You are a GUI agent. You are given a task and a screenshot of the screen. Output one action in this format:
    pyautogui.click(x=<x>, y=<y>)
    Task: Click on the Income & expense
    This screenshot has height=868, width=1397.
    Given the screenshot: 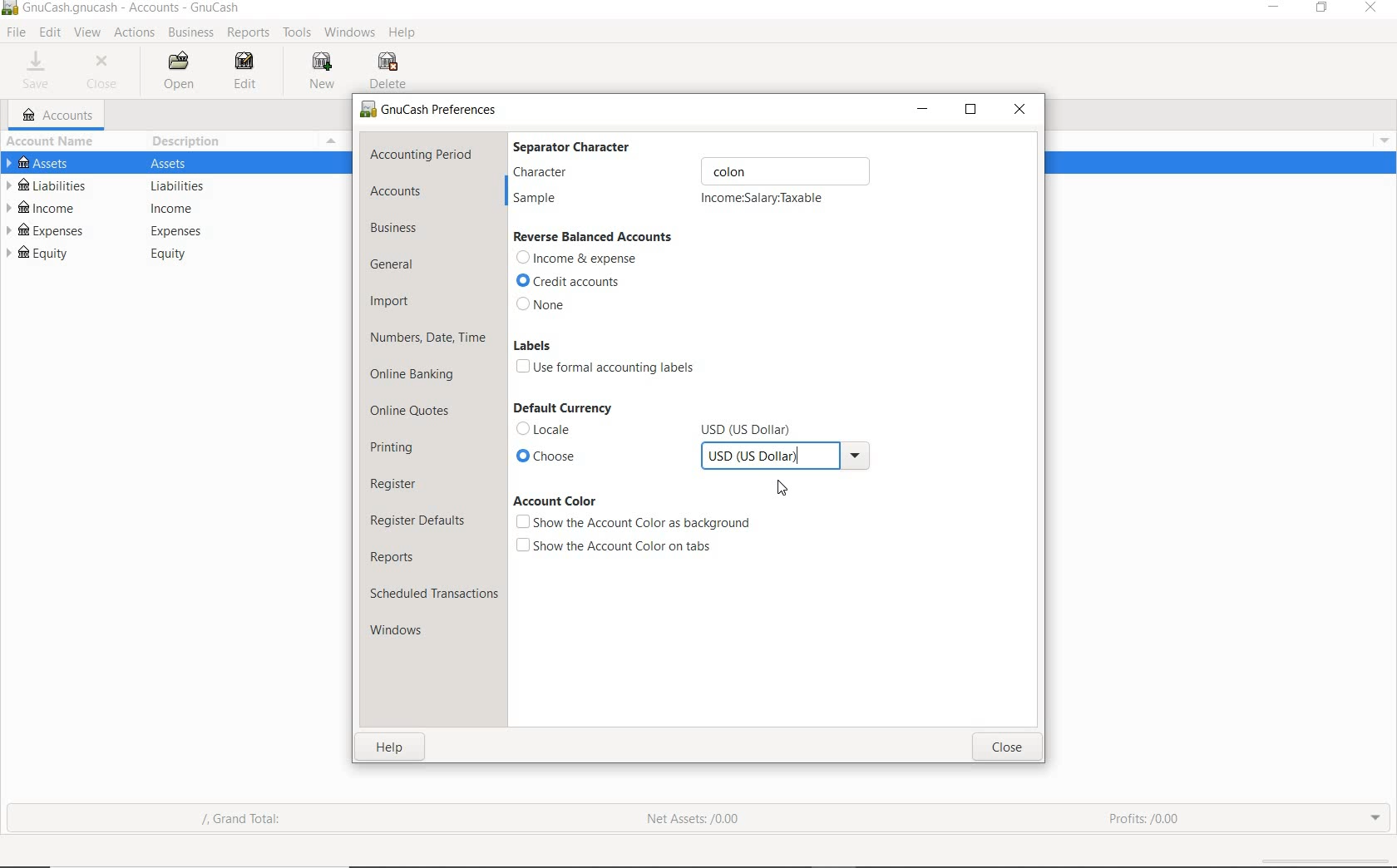 What is the action you would take?
    pyautogui.click(x=578, y=259)
    